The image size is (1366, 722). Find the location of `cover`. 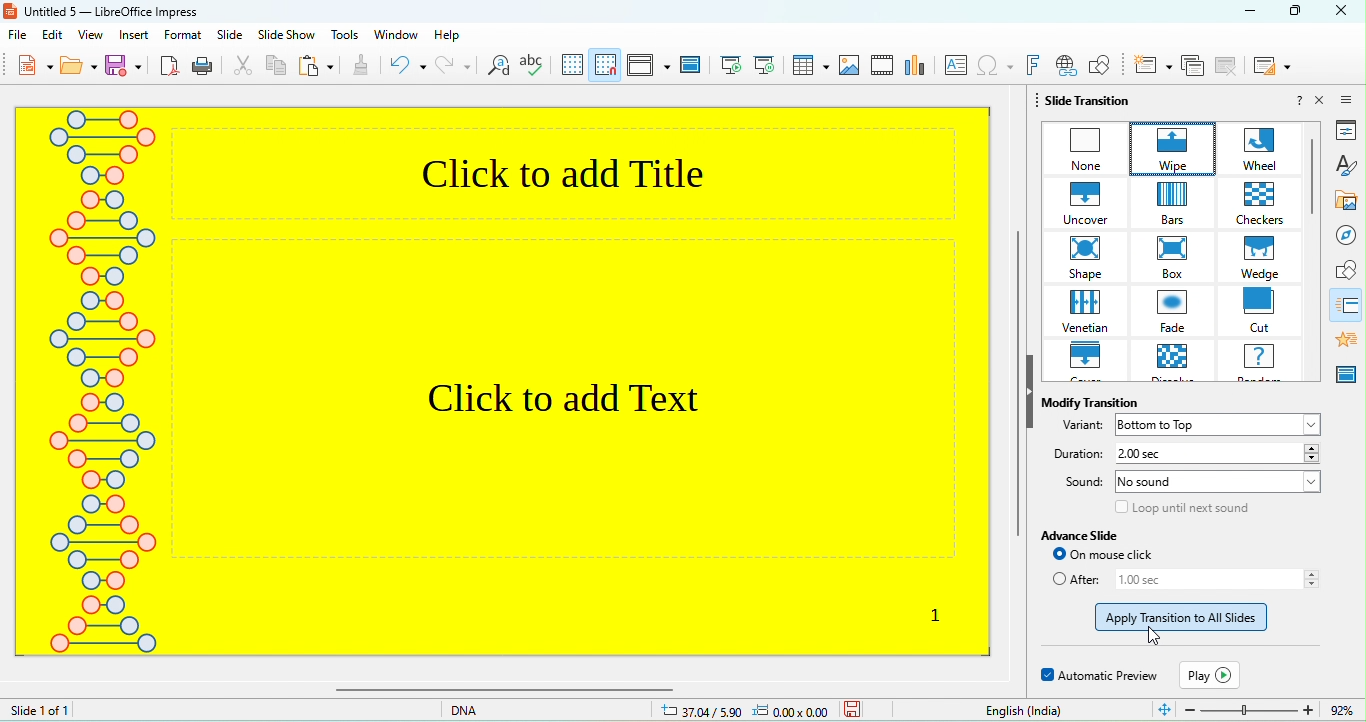

cover is located at coordinates (1088, 362).